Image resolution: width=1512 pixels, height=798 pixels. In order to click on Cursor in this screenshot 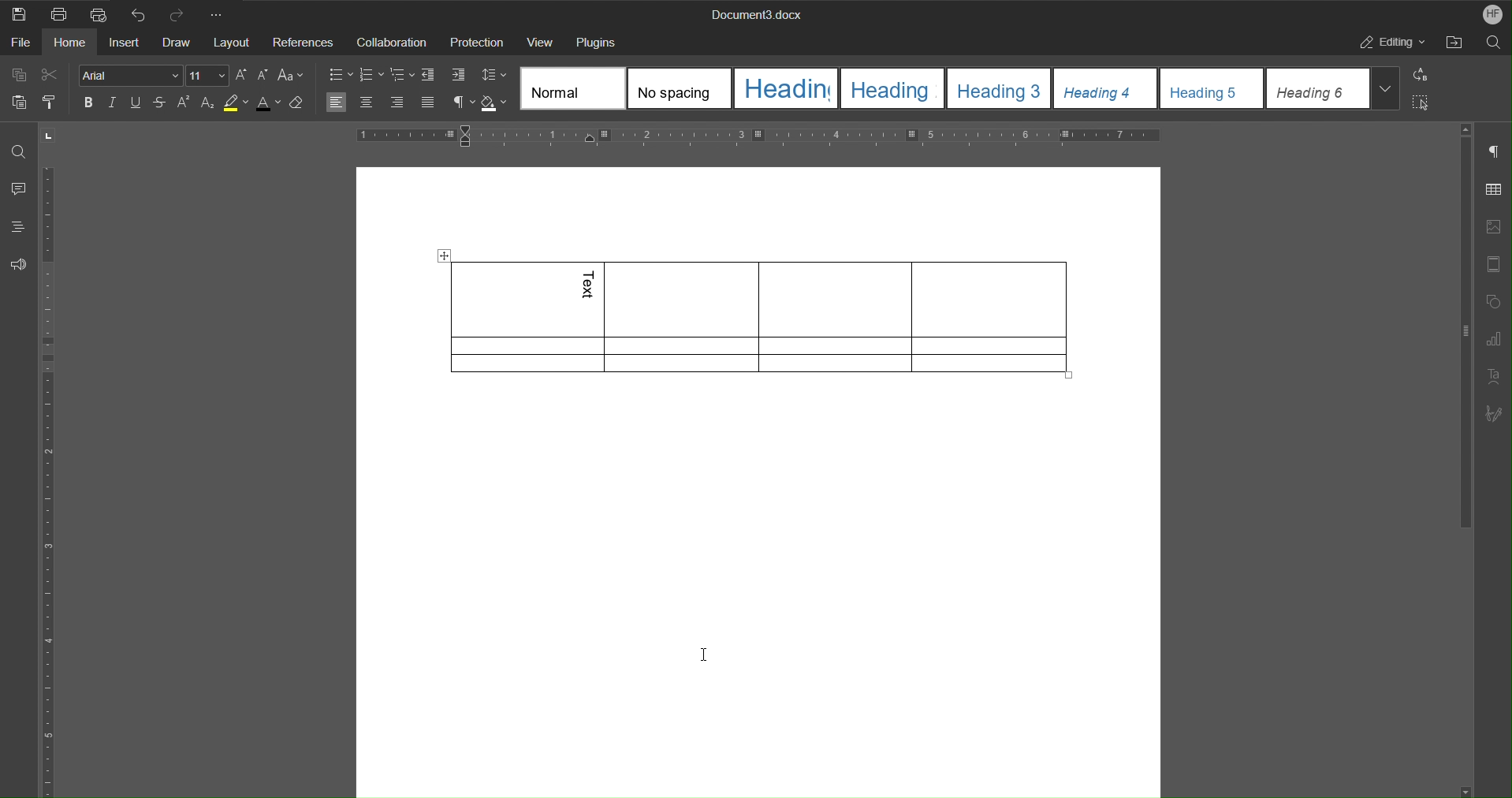, I will do `click(705, 655)`.